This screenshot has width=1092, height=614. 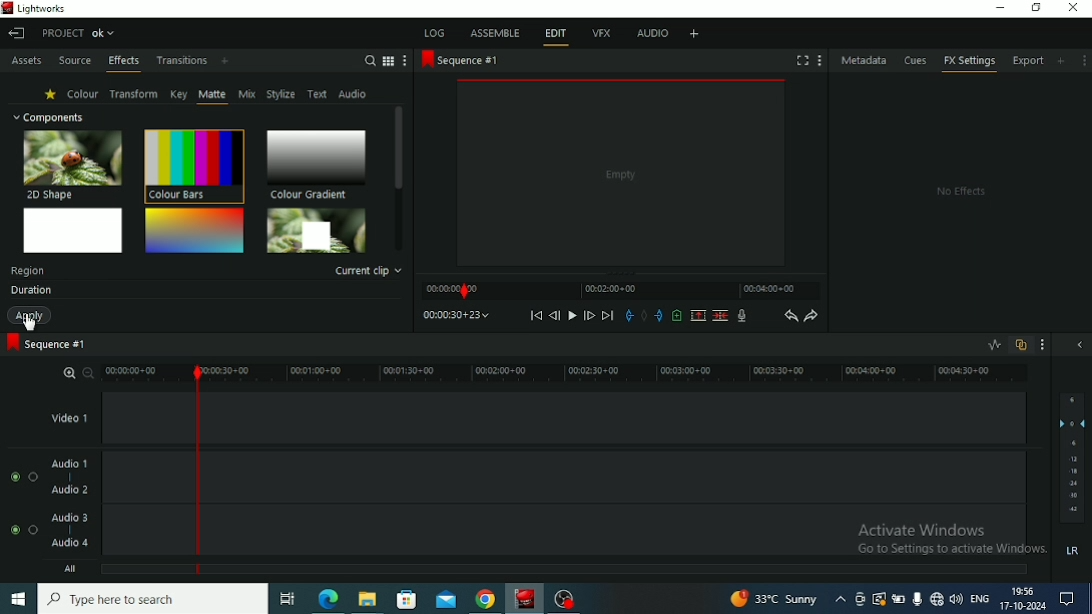 I want to click on Components, so click(x=48, y=116).